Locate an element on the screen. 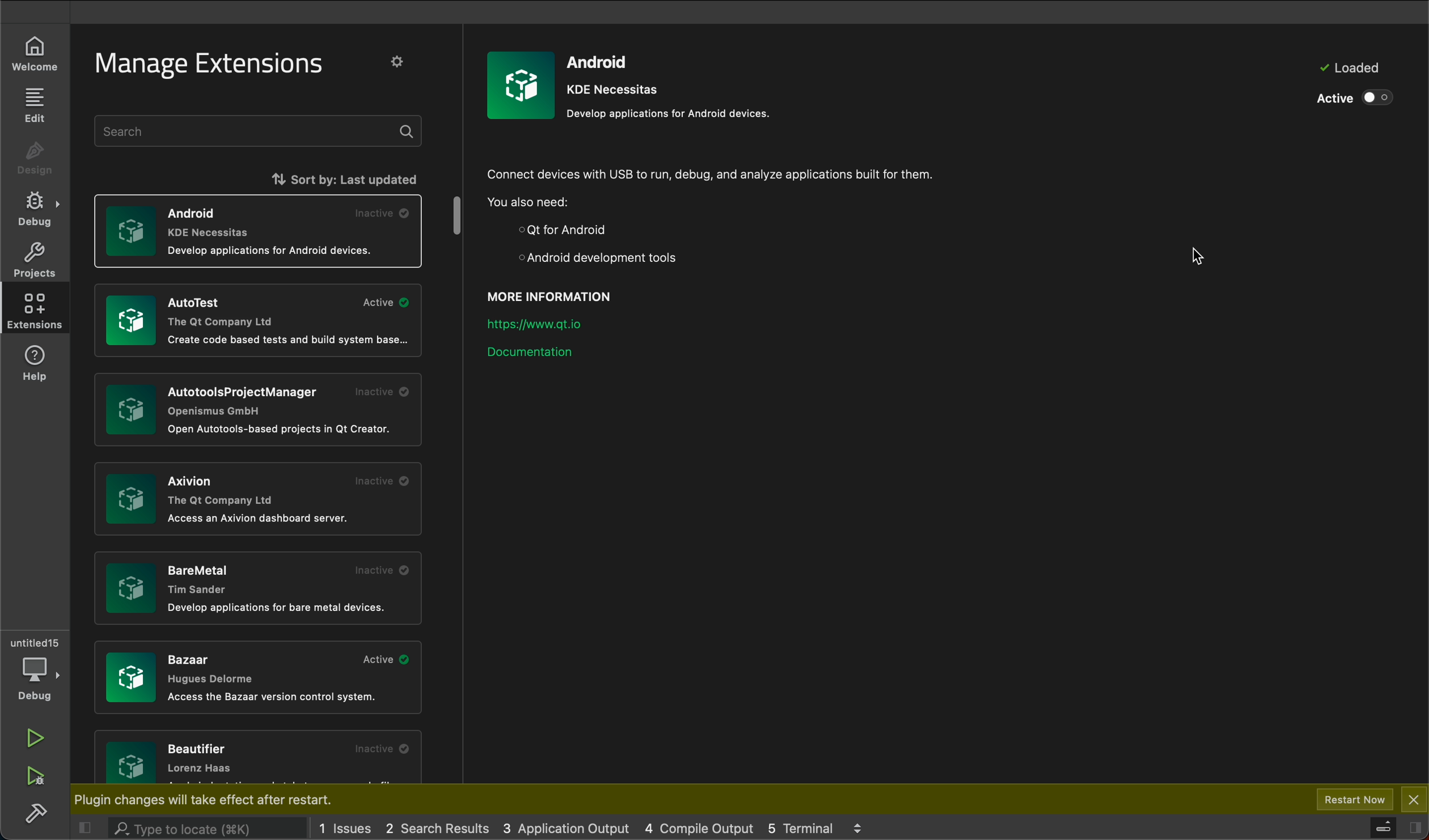 This screenshot has height=840, width=1429. cancel is located at coordinates (1413, 798).